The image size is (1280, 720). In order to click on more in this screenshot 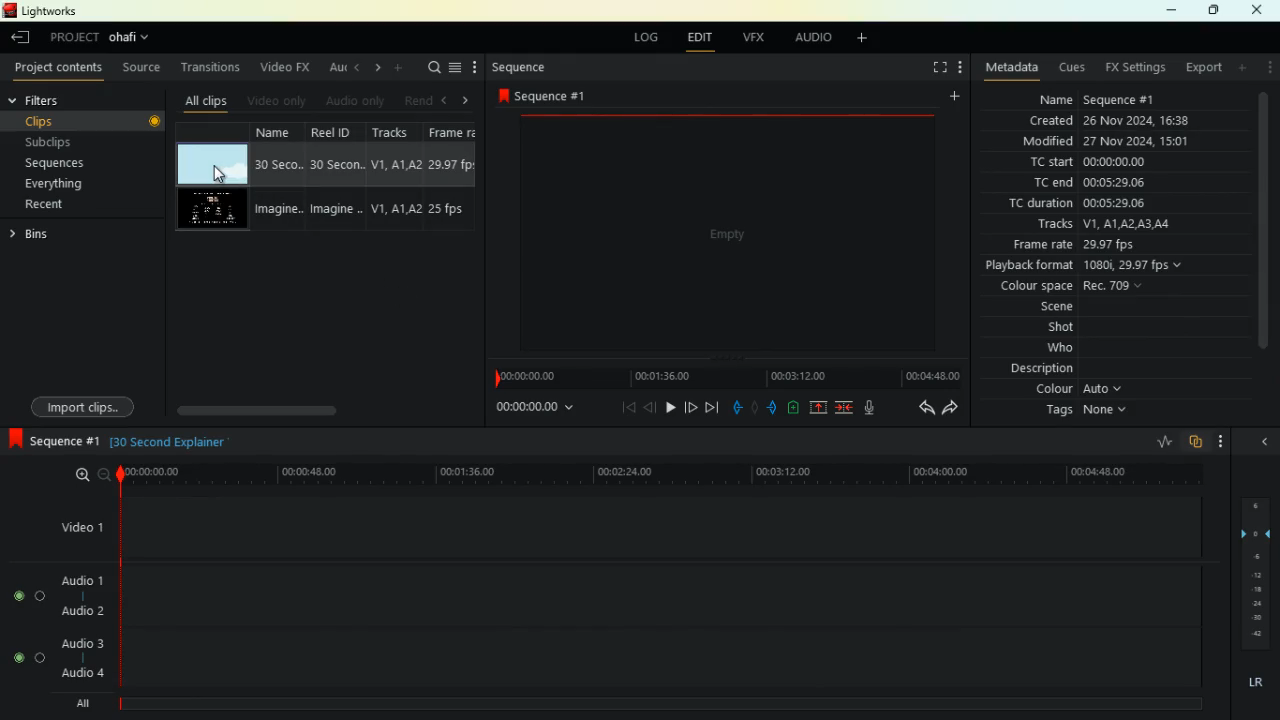, I will do `click(474, 67)`.